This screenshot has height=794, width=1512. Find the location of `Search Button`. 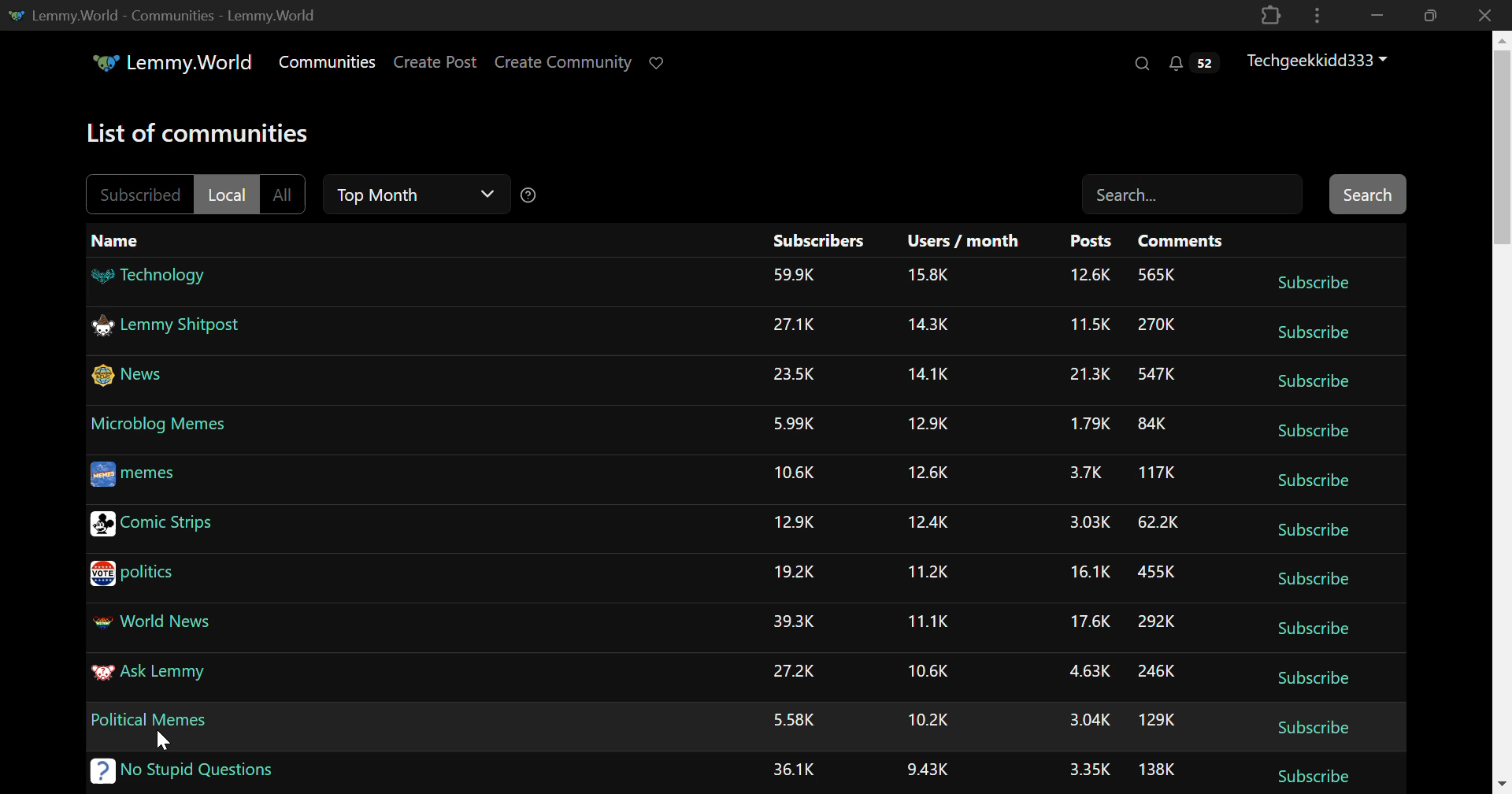

Search Button is located at coordinates (1367, 194).